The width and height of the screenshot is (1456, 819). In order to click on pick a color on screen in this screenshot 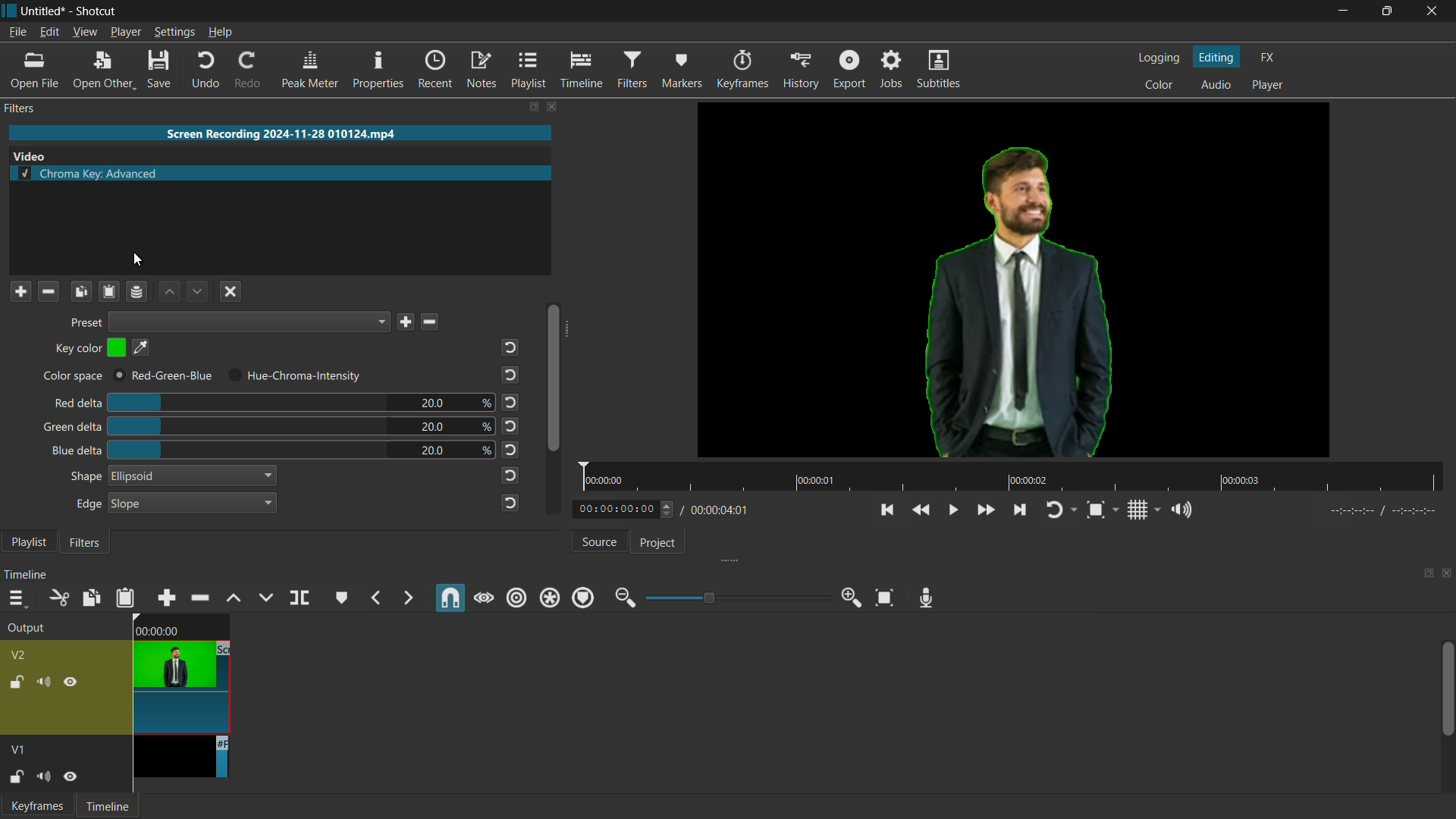, I will do `click(143, 347)`.